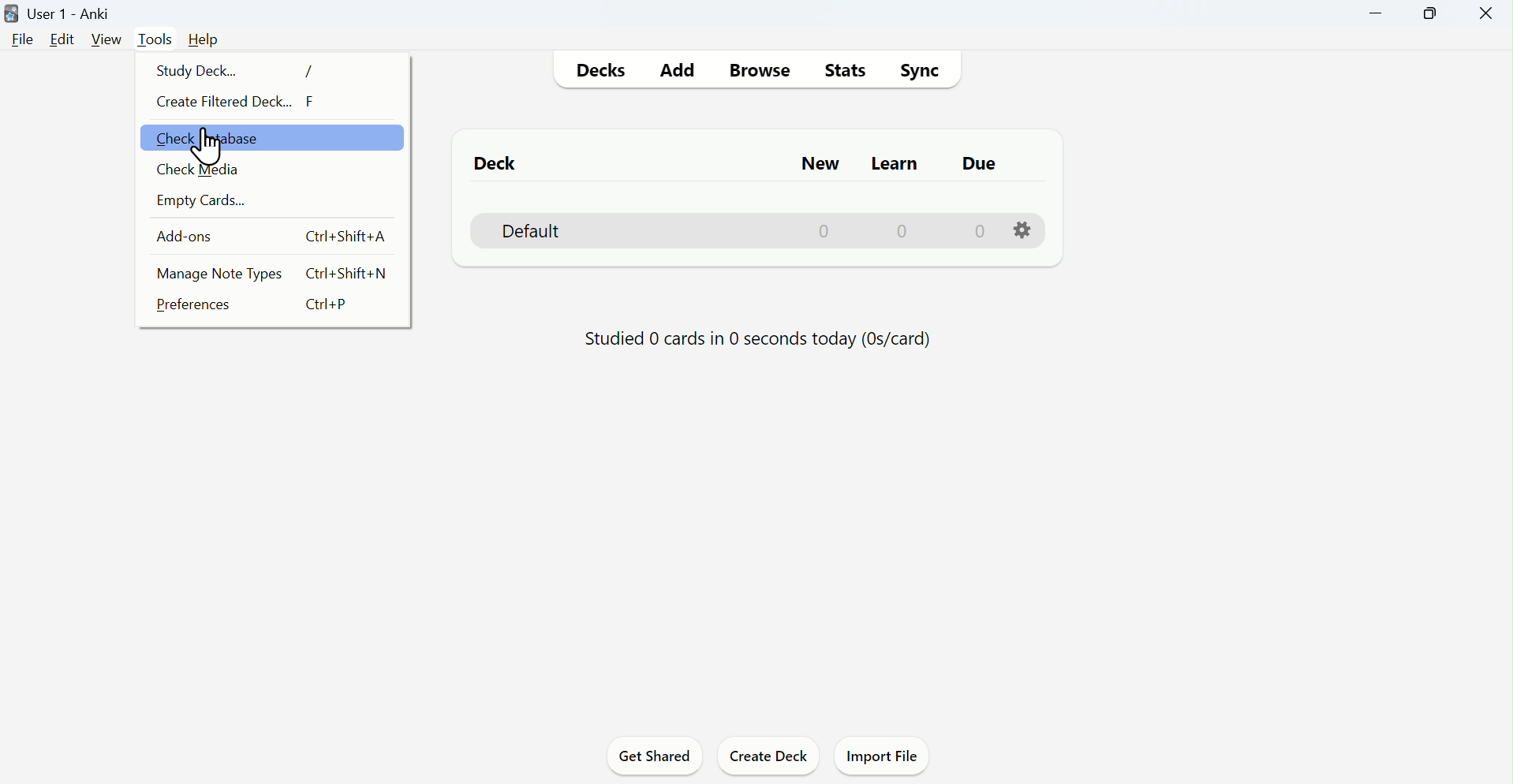 The width and height of the screenshot is (1513, 784). I want to click on settings, so click(1018, 231).